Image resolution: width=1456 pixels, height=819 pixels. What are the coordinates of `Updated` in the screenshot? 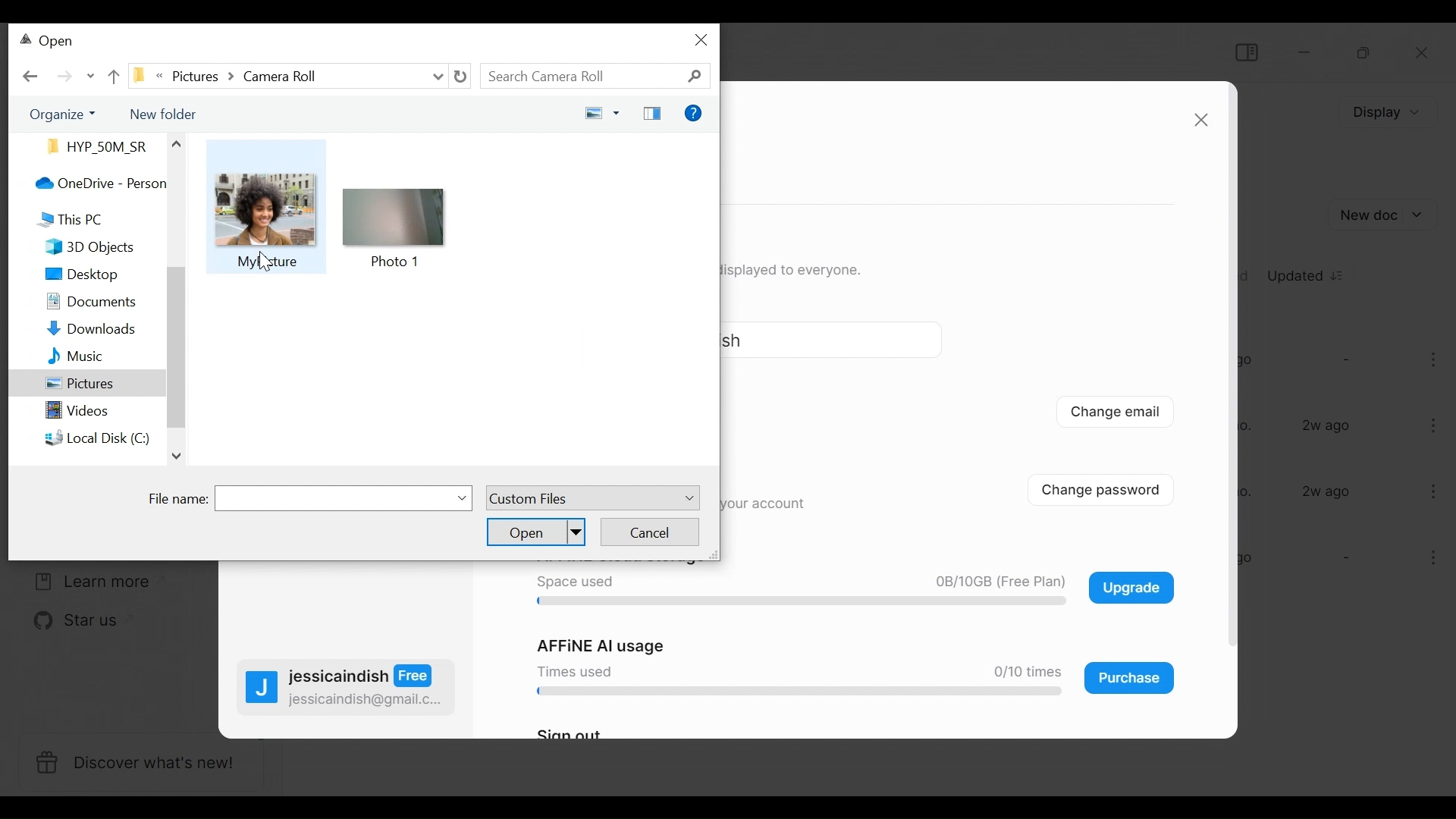 It's located at (1307, 274).